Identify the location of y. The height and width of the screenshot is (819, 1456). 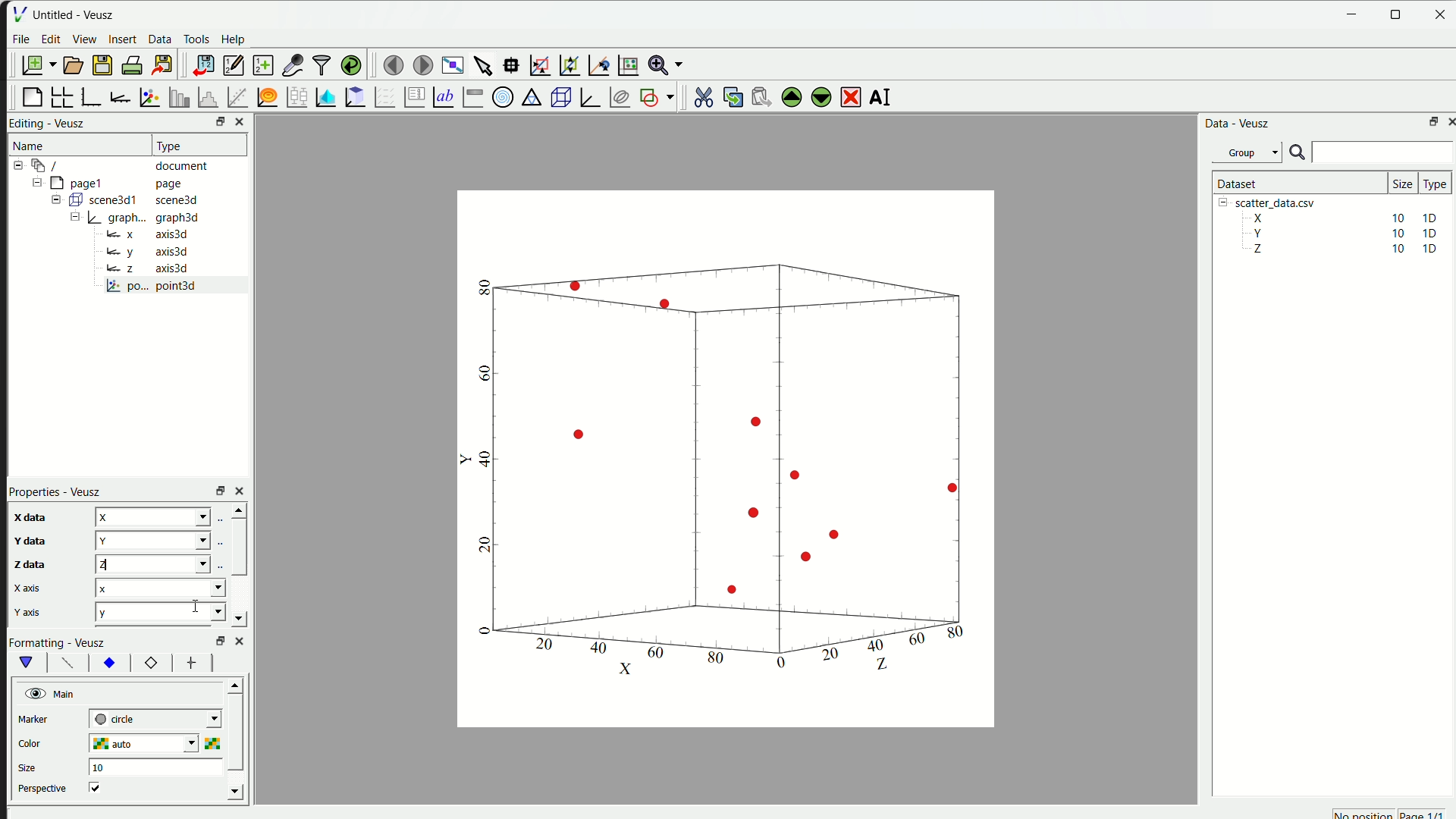
(152, 614).